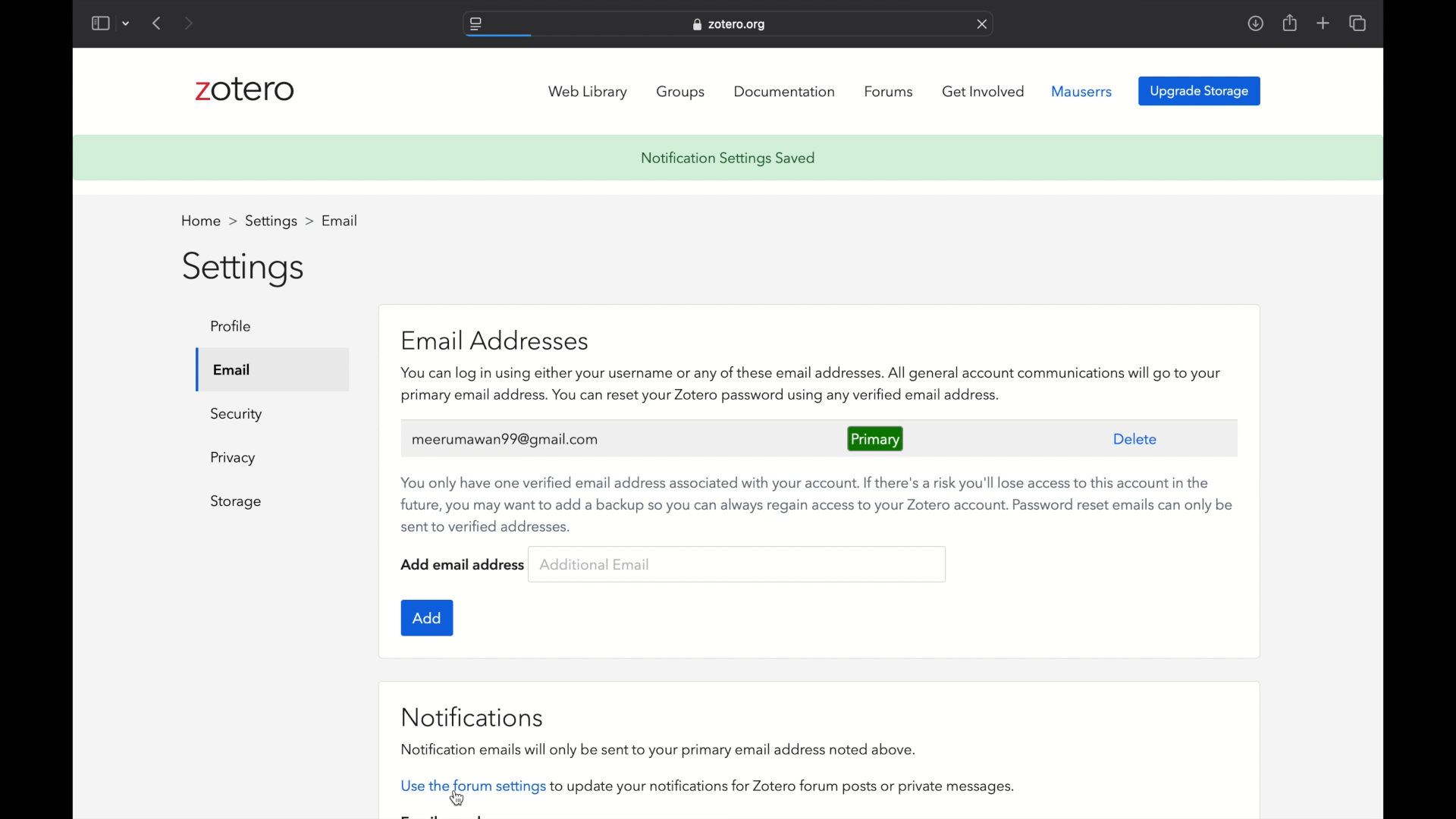 The height and width of the screenshot is (819, 1456). What do you see at coordinates (660, 749) in the screenshot?
I see `notification emails will only be sent to your primary email address noted above` at bounding box center [660, 749].